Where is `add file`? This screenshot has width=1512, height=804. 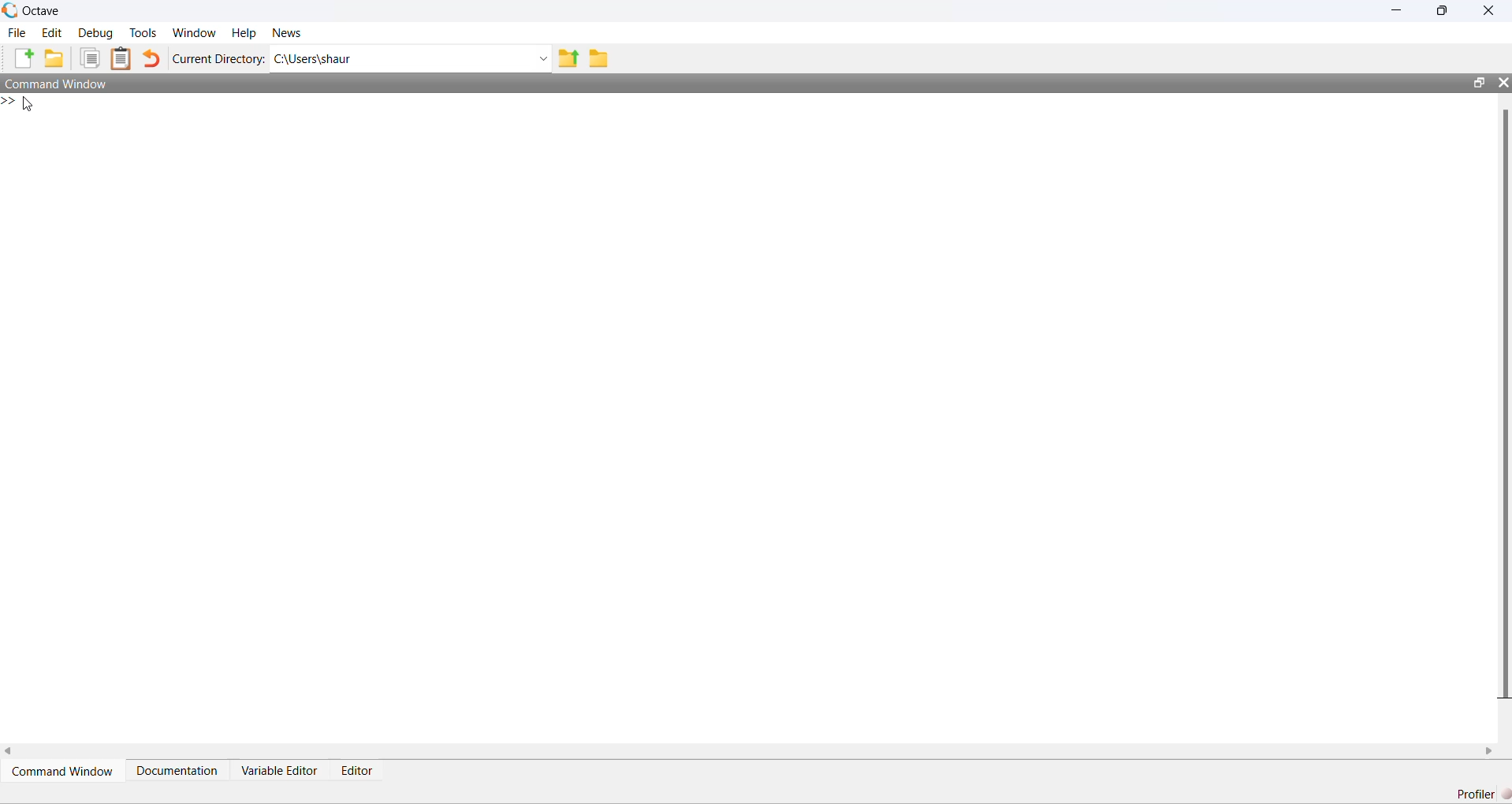
add file is located at coordinates (25, 58).